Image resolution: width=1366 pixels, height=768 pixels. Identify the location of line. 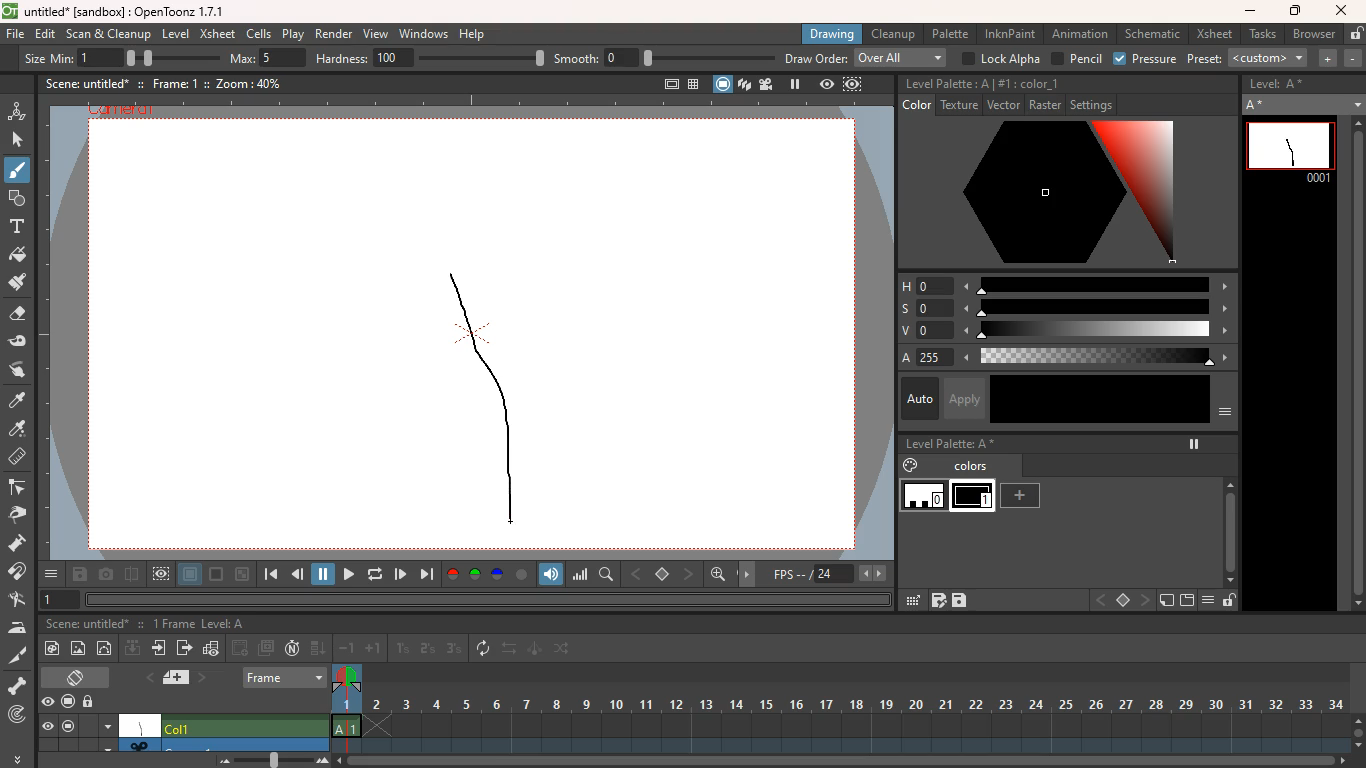
(483, 397).